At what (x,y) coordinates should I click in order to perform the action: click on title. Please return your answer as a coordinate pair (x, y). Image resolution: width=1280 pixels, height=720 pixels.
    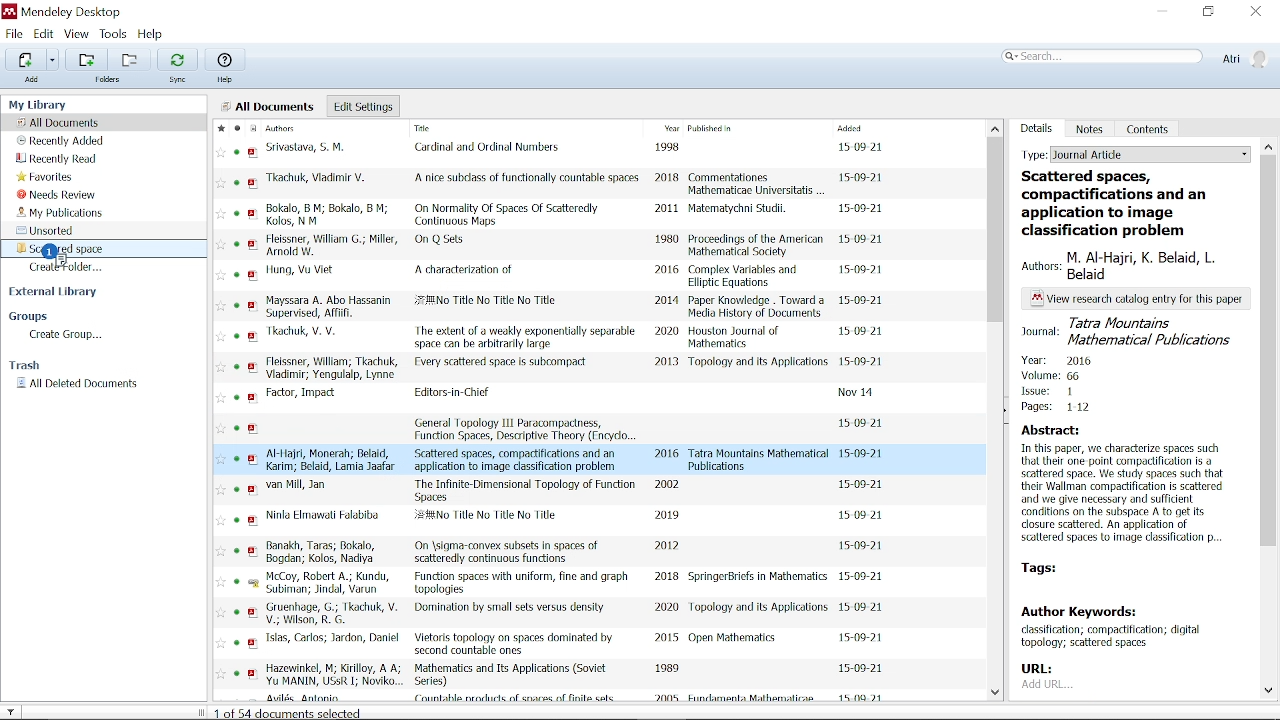
    Looking at the image, I should click on (509, 213).